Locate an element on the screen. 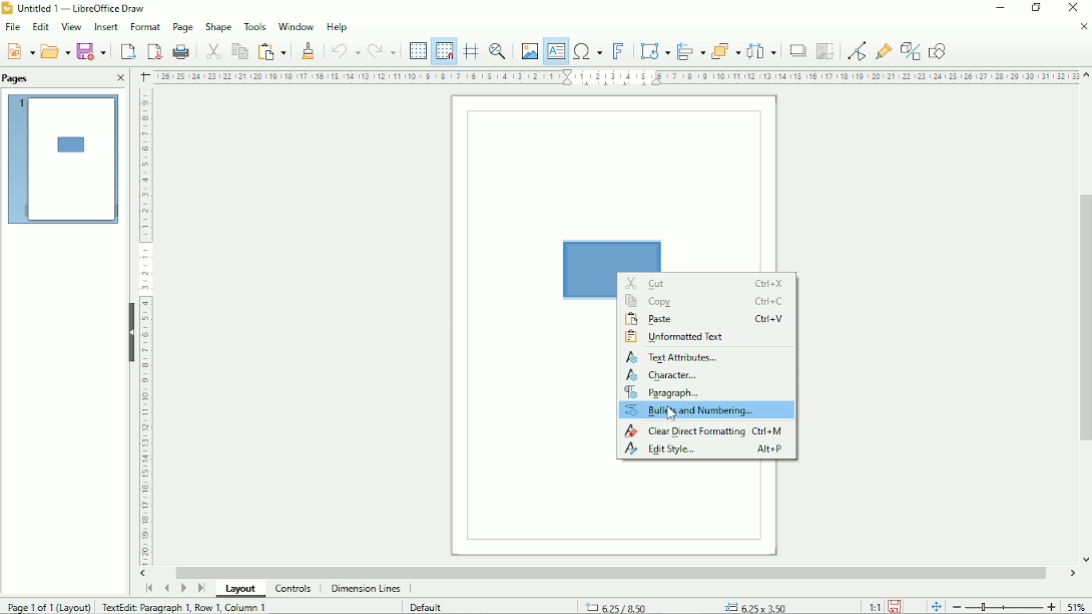 This screenshot has width=1092, height=614. export is located at coordinates (128, 51).